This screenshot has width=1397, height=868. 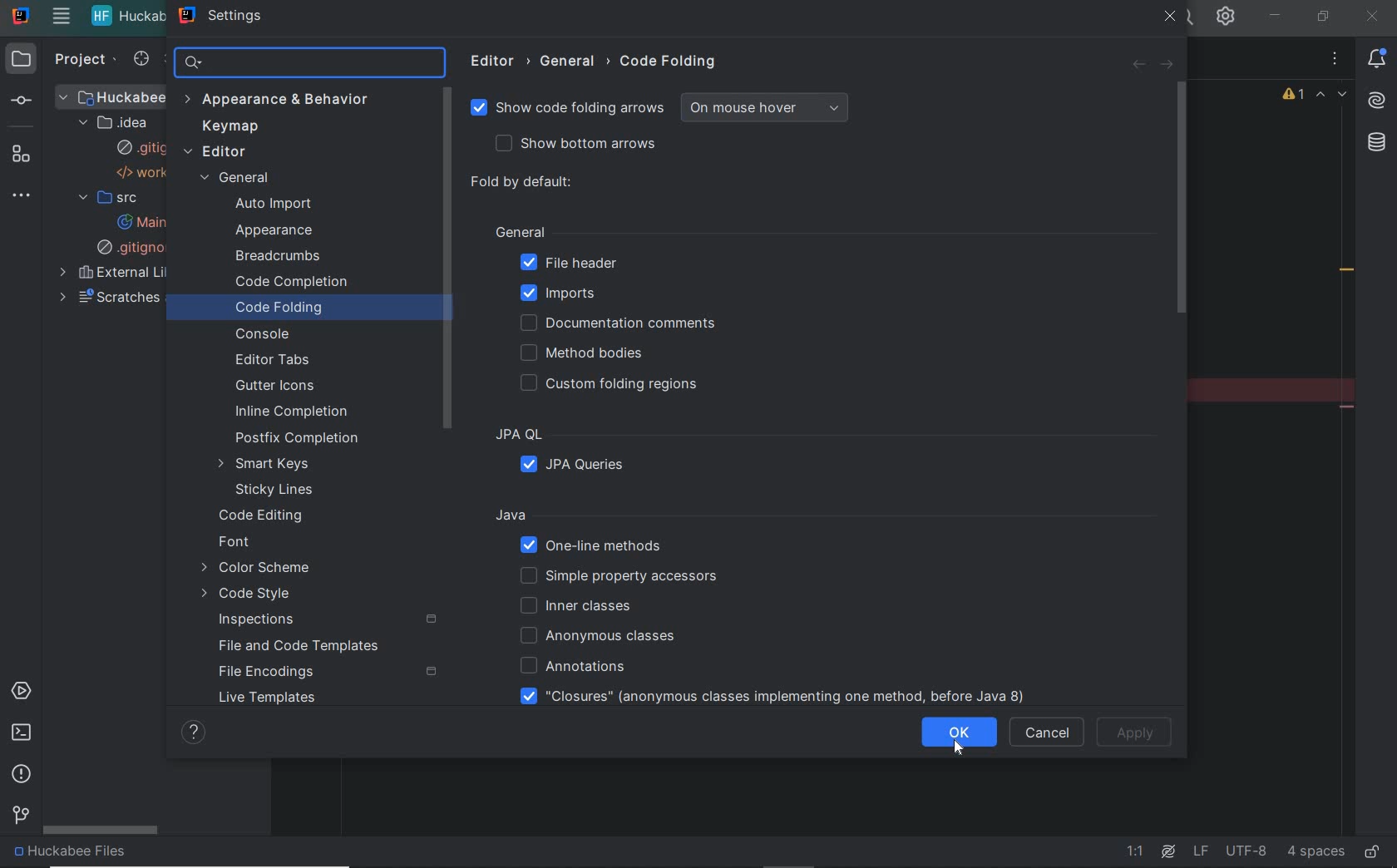 What do you see at coordinates (1336, 58) in the screenshot?
I see `recent files, tab options` at bounding box center [1336, 58].